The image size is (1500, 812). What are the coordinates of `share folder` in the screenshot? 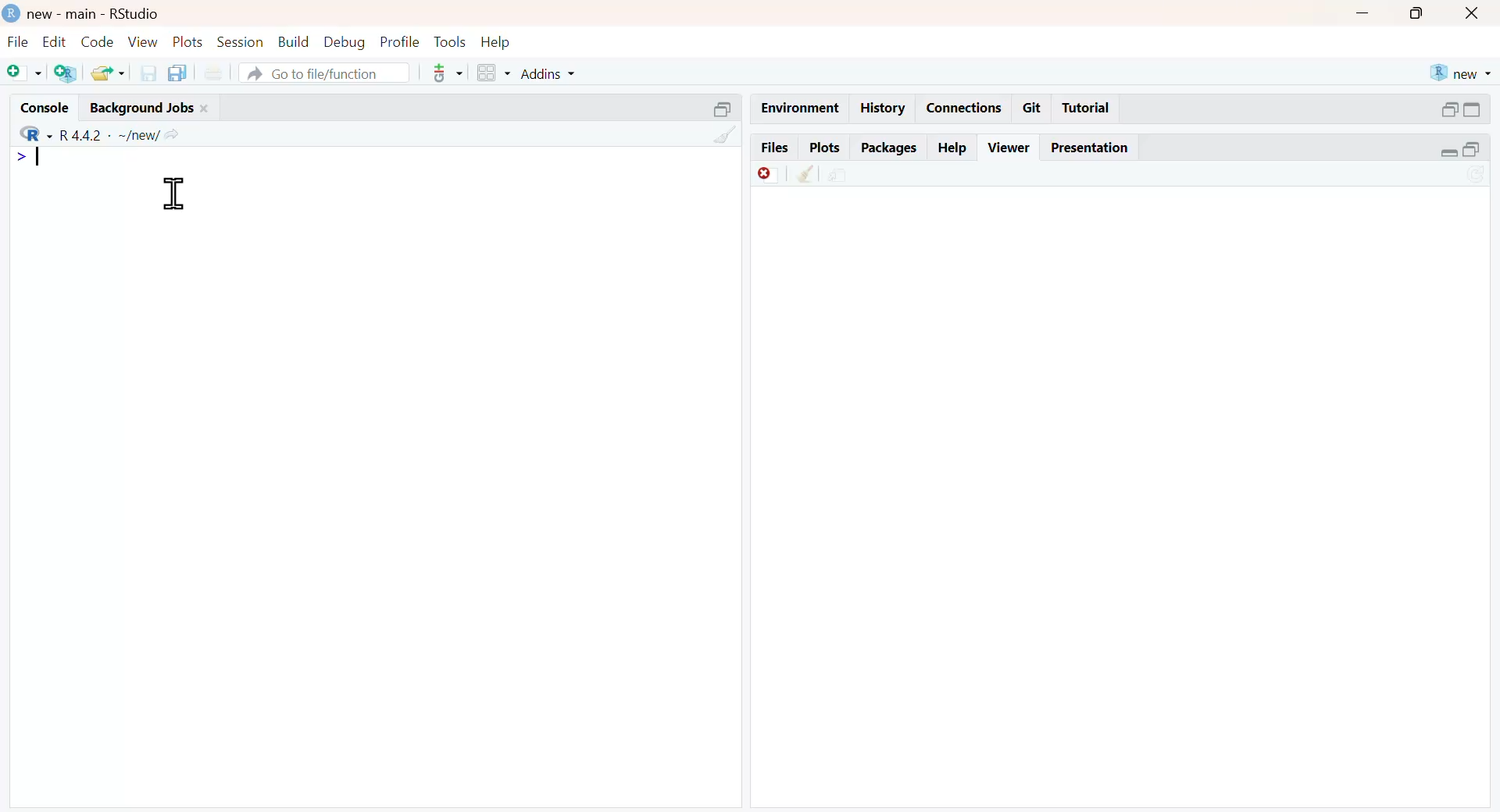 It's located at (110, 73).